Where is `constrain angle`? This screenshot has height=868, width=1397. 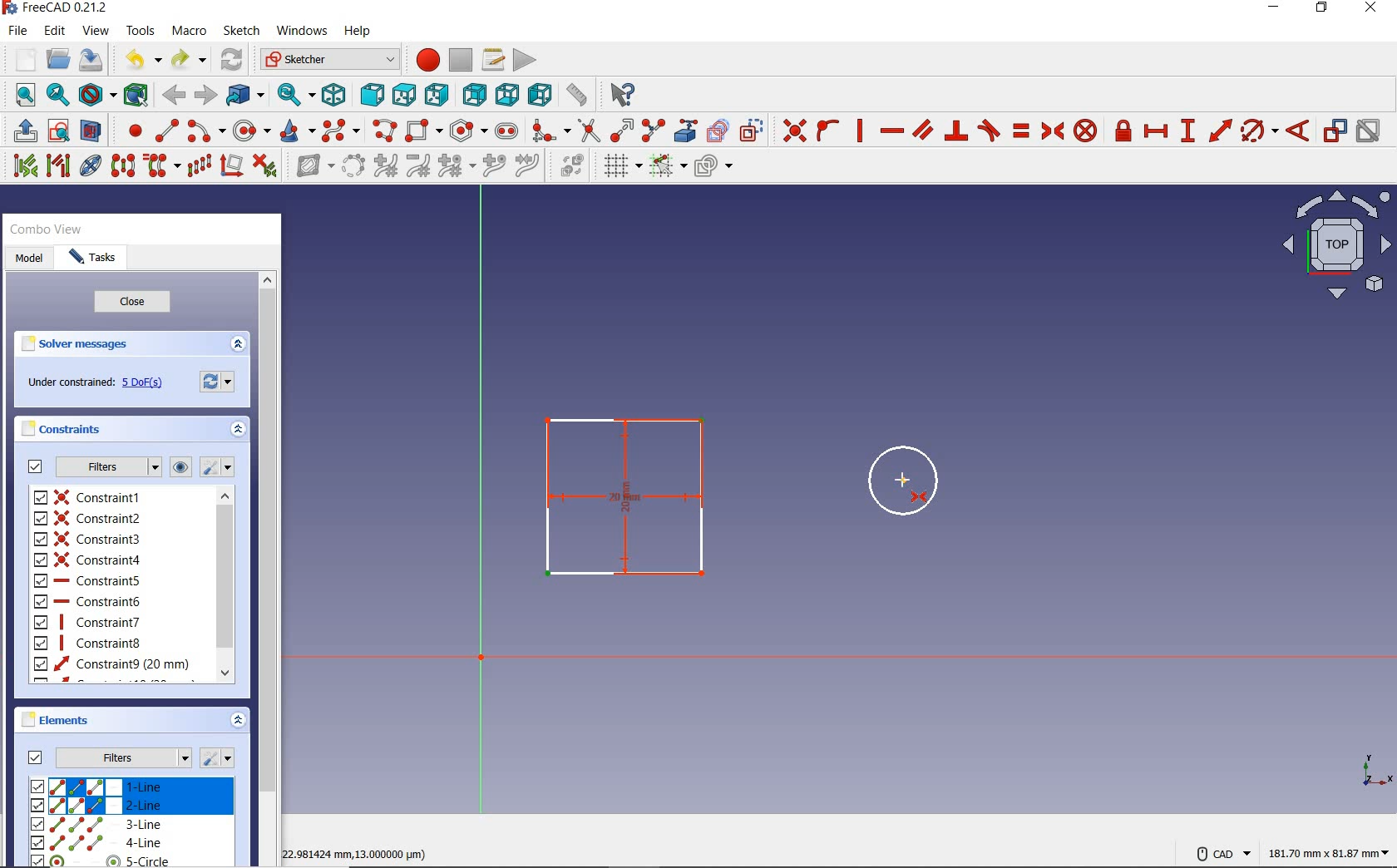
constrain angle is located at coordinates (1300, 131).